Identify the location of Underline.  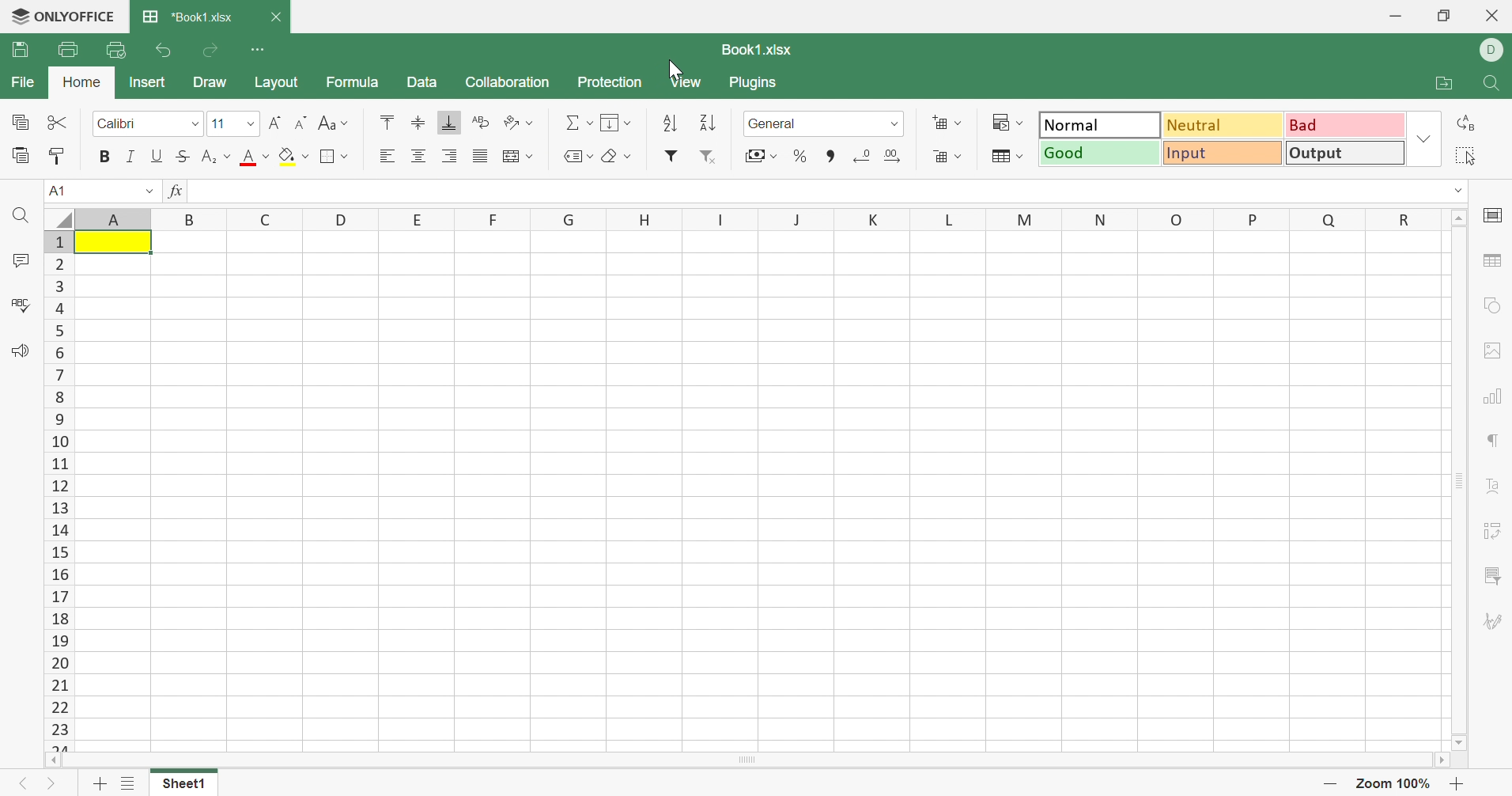
(157, 154).